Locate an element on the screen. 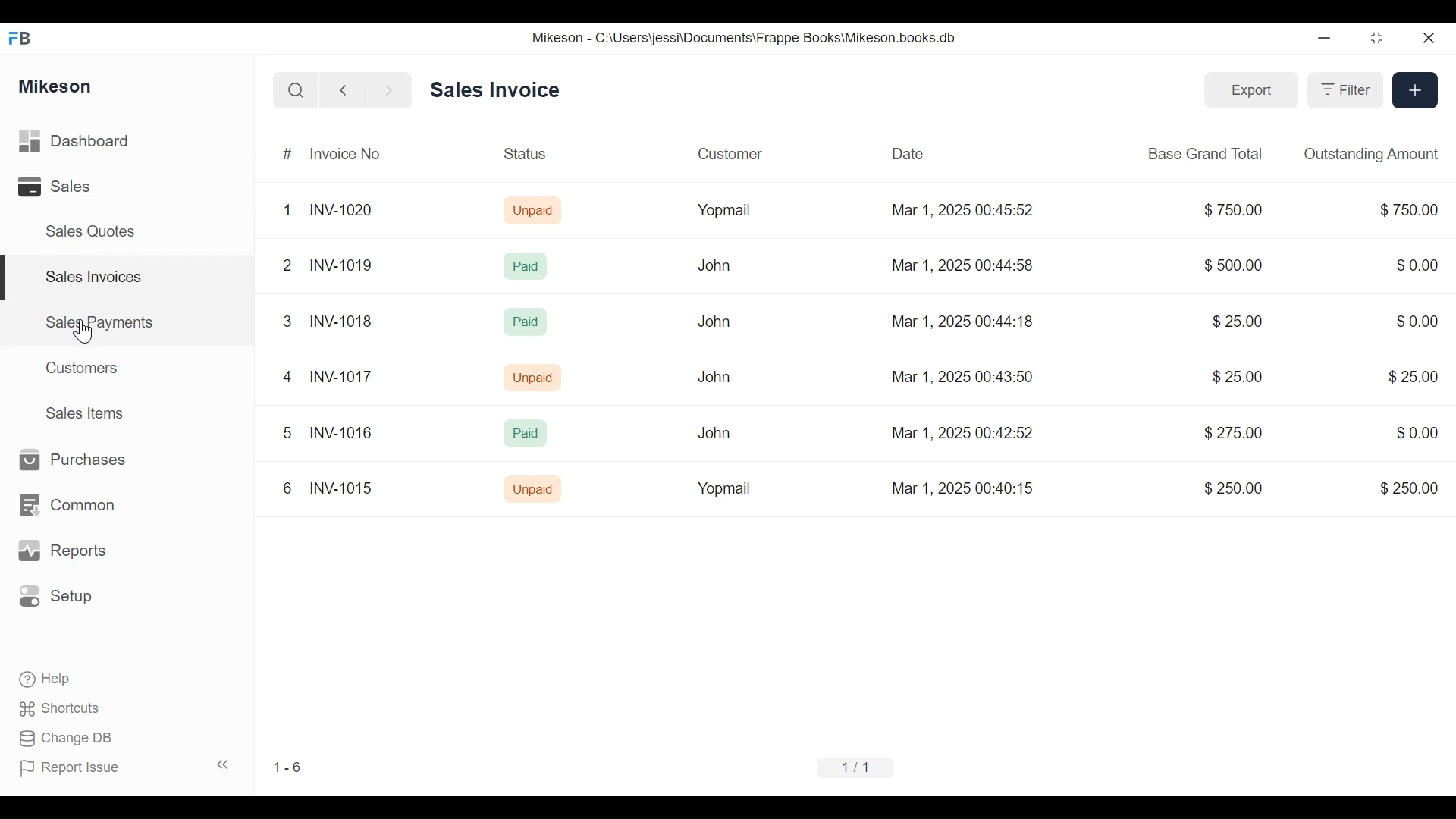 The image size is (1456, 819). $500.00 is located at coordinates (1228, 263).